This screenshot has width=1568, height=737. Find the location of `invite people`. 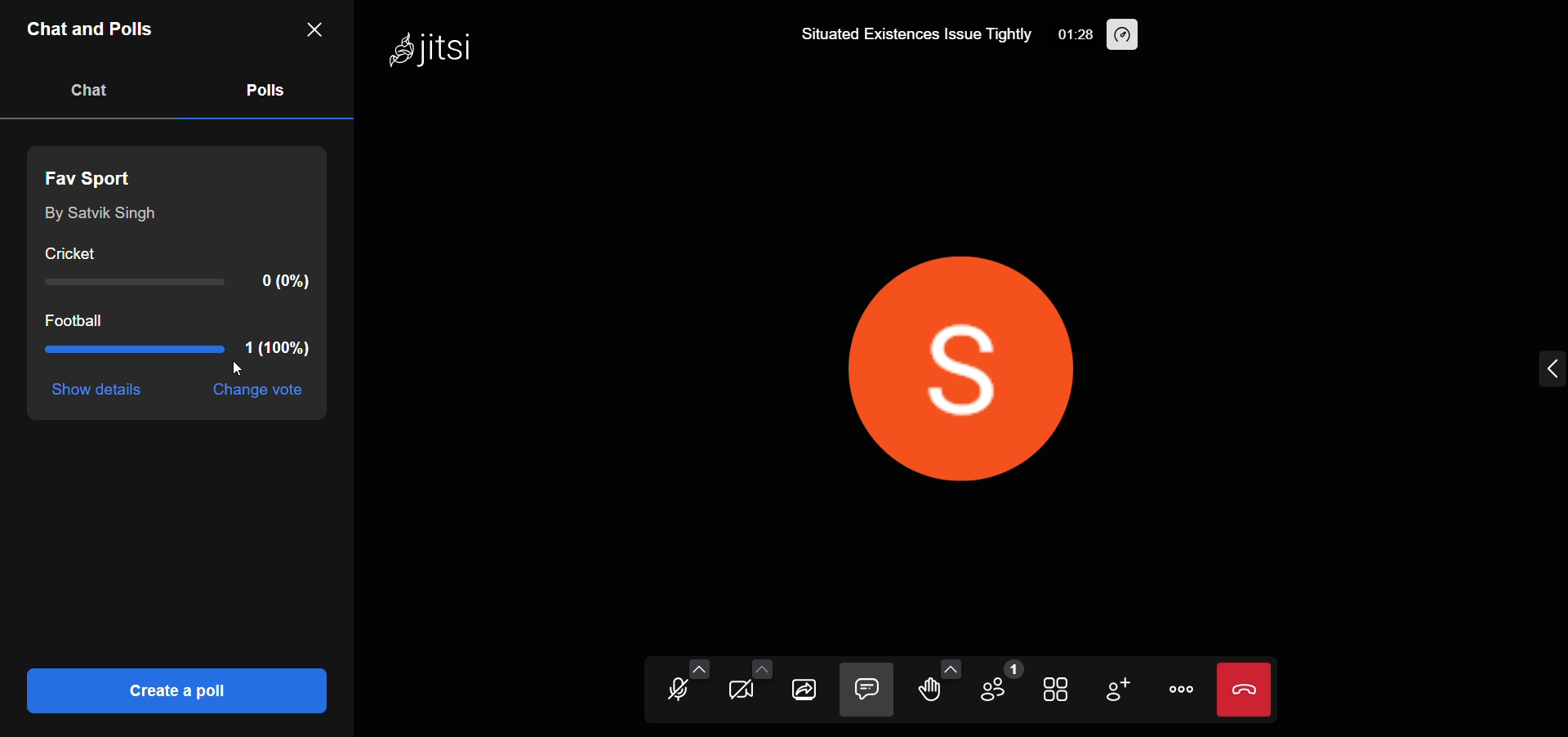

invite people is located at coordinates (1122, 687).